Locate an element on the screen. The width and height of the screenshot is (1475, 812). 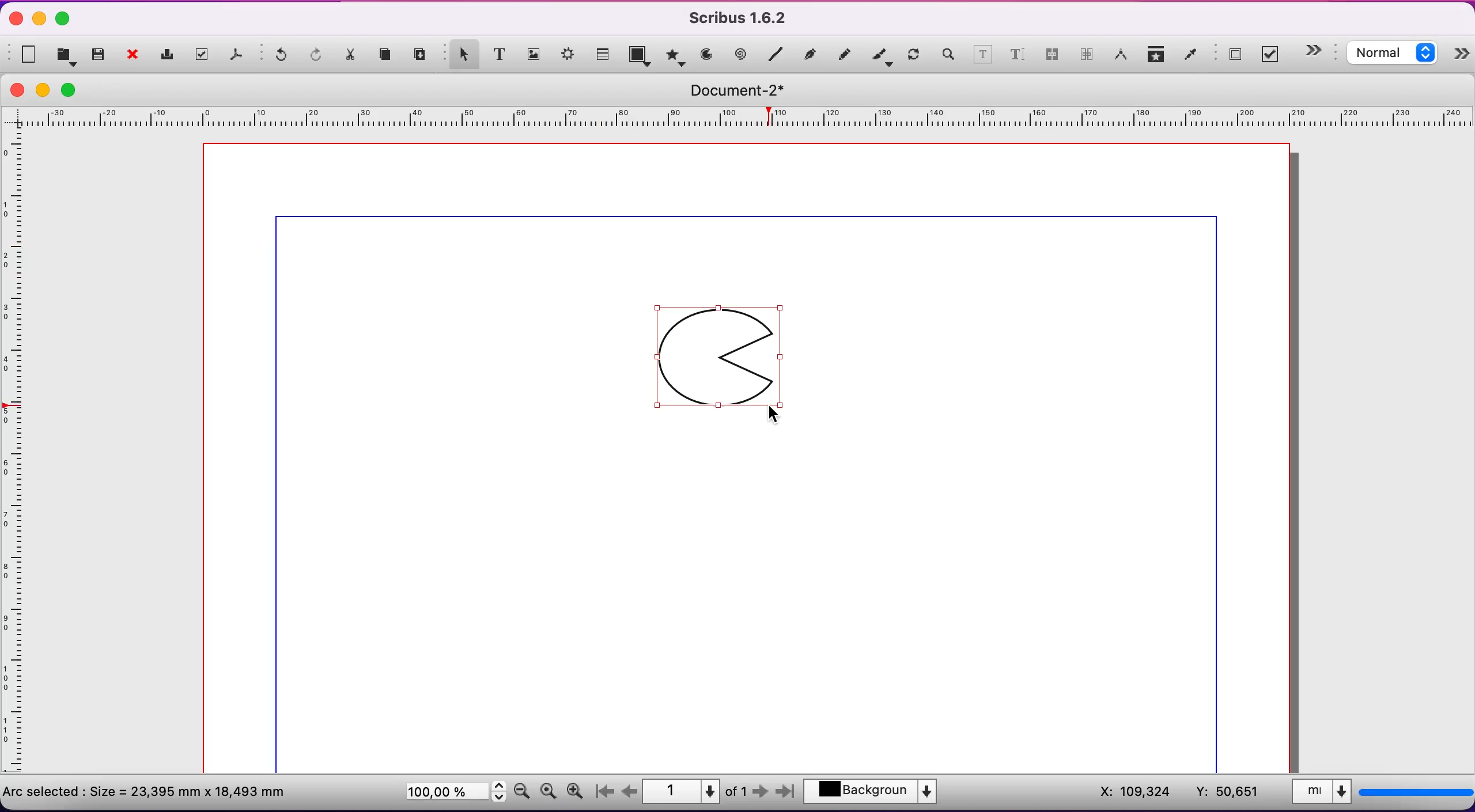
shape is located at coordinates (725, 359).